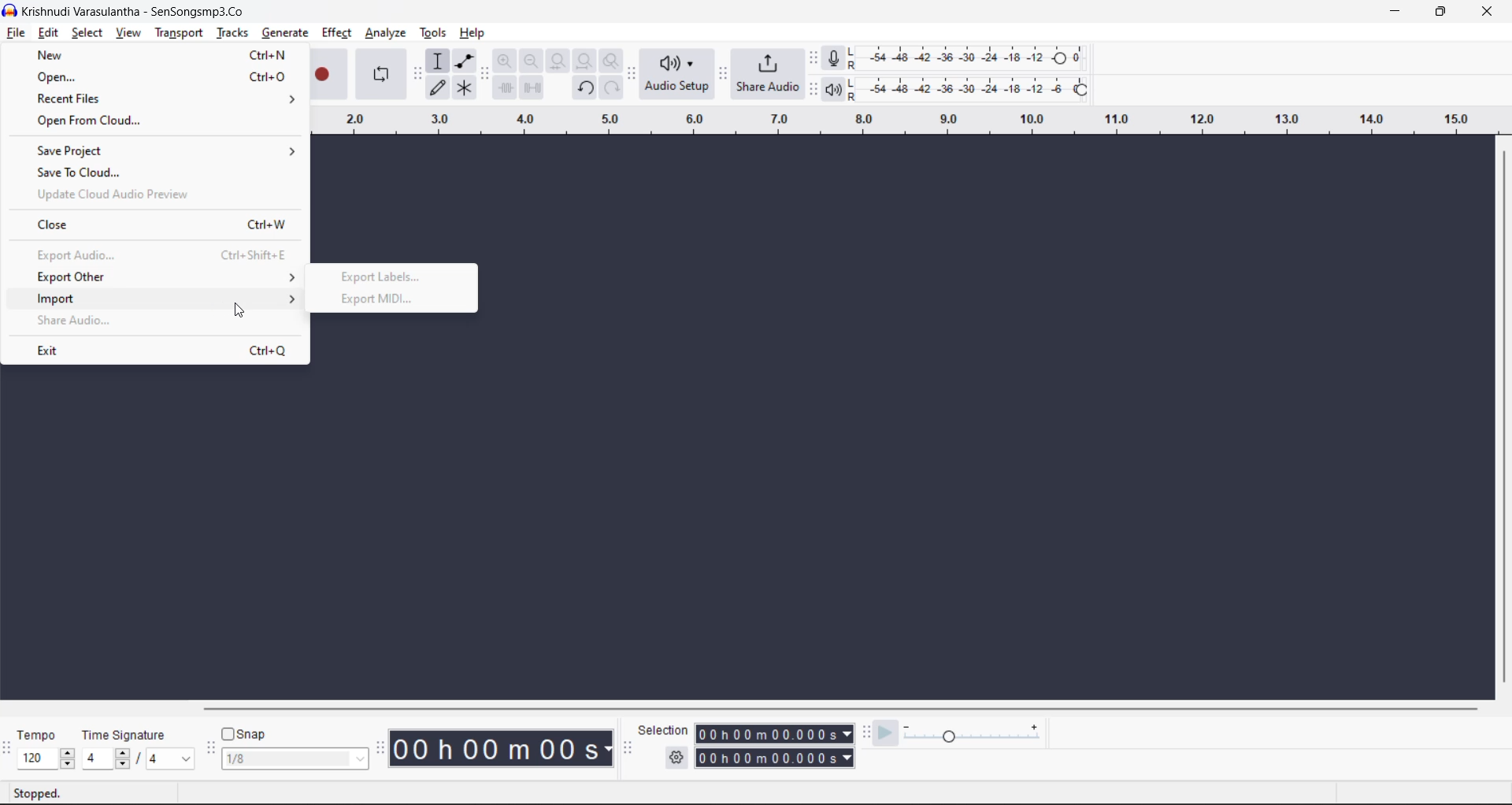  What do you see at coordinates (533, 89) in the screenshot?
I see `silence audio selection` at bounding box center [533, 89].